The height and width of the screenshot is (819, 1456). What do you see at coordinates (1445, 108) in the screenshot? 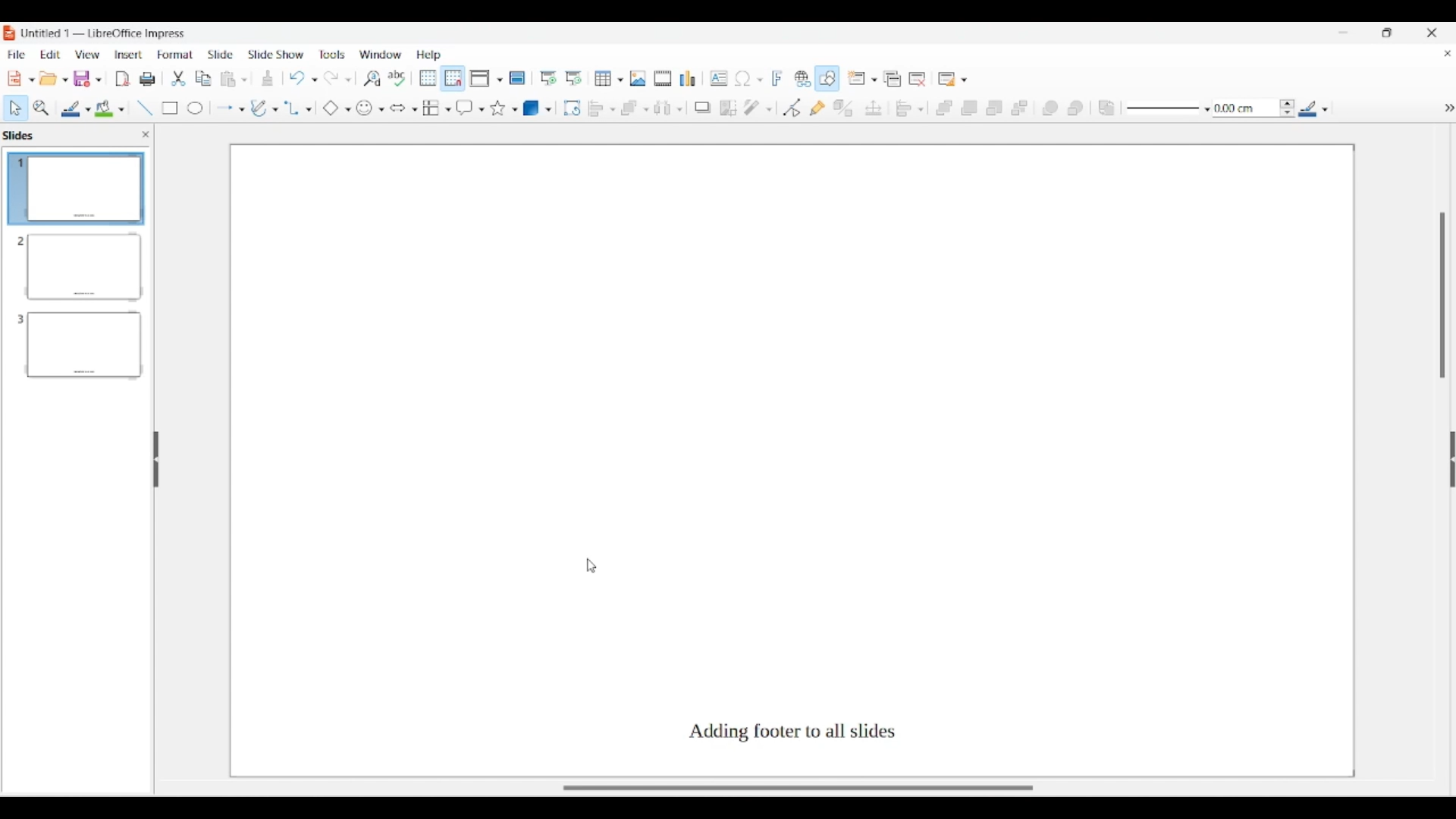
I see `hide` at bounding box center [1445, 108].